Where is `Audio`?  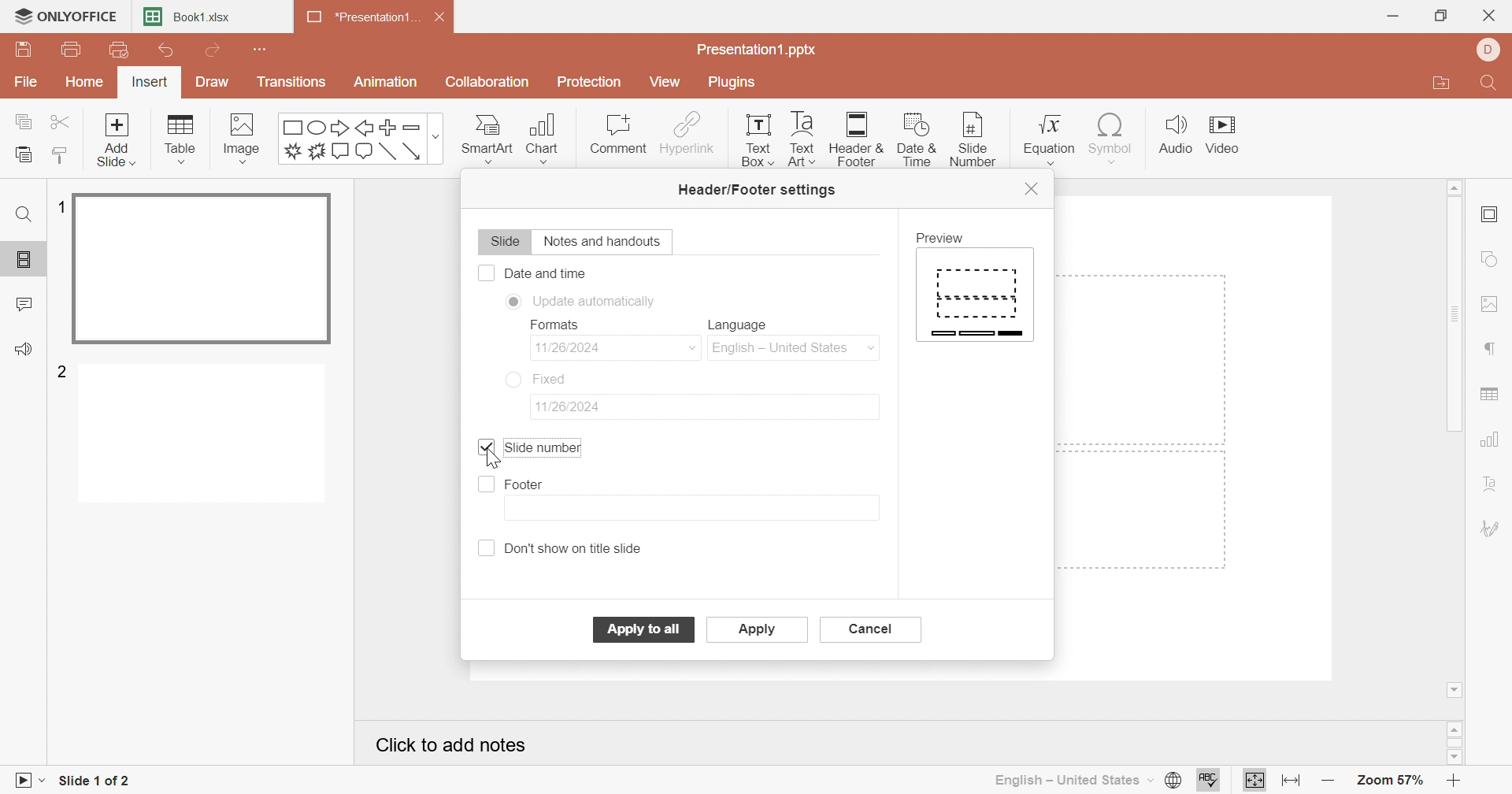 Audio is located at coordinates (1176, 135).